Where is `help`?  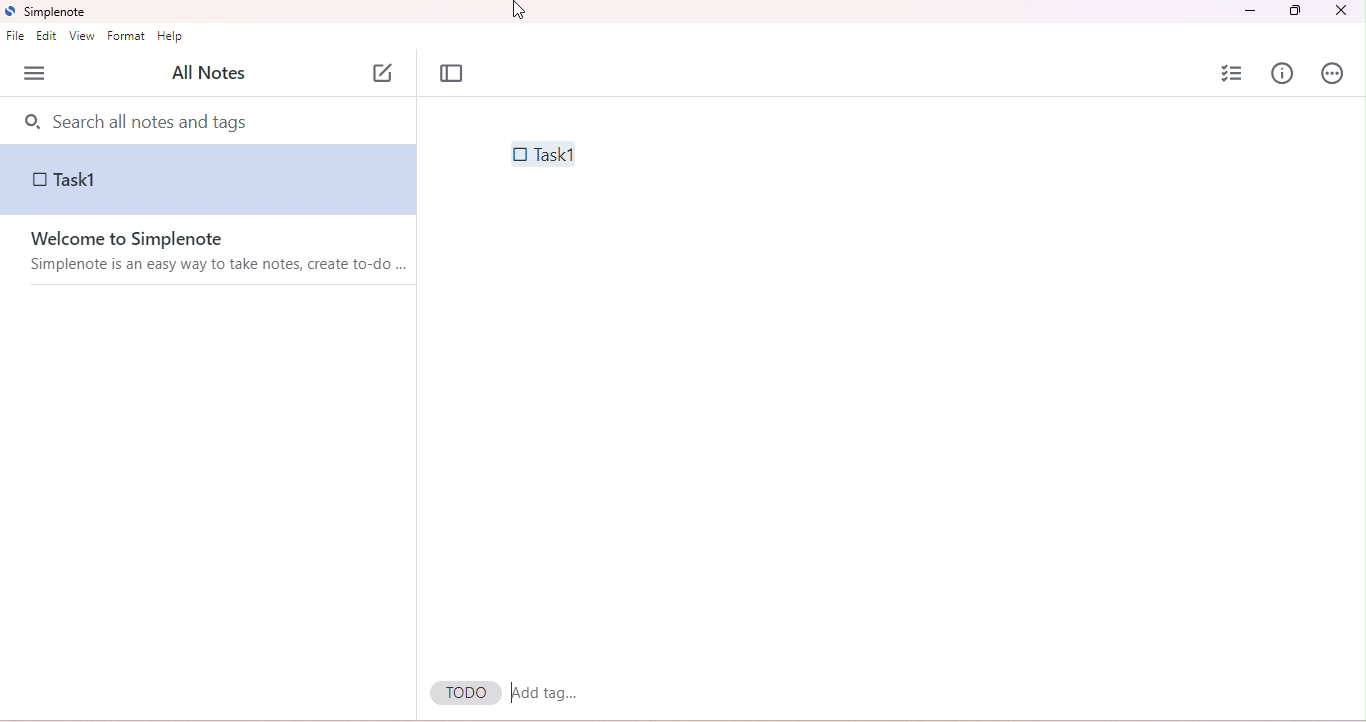
help is located at coordinates (172, 38).